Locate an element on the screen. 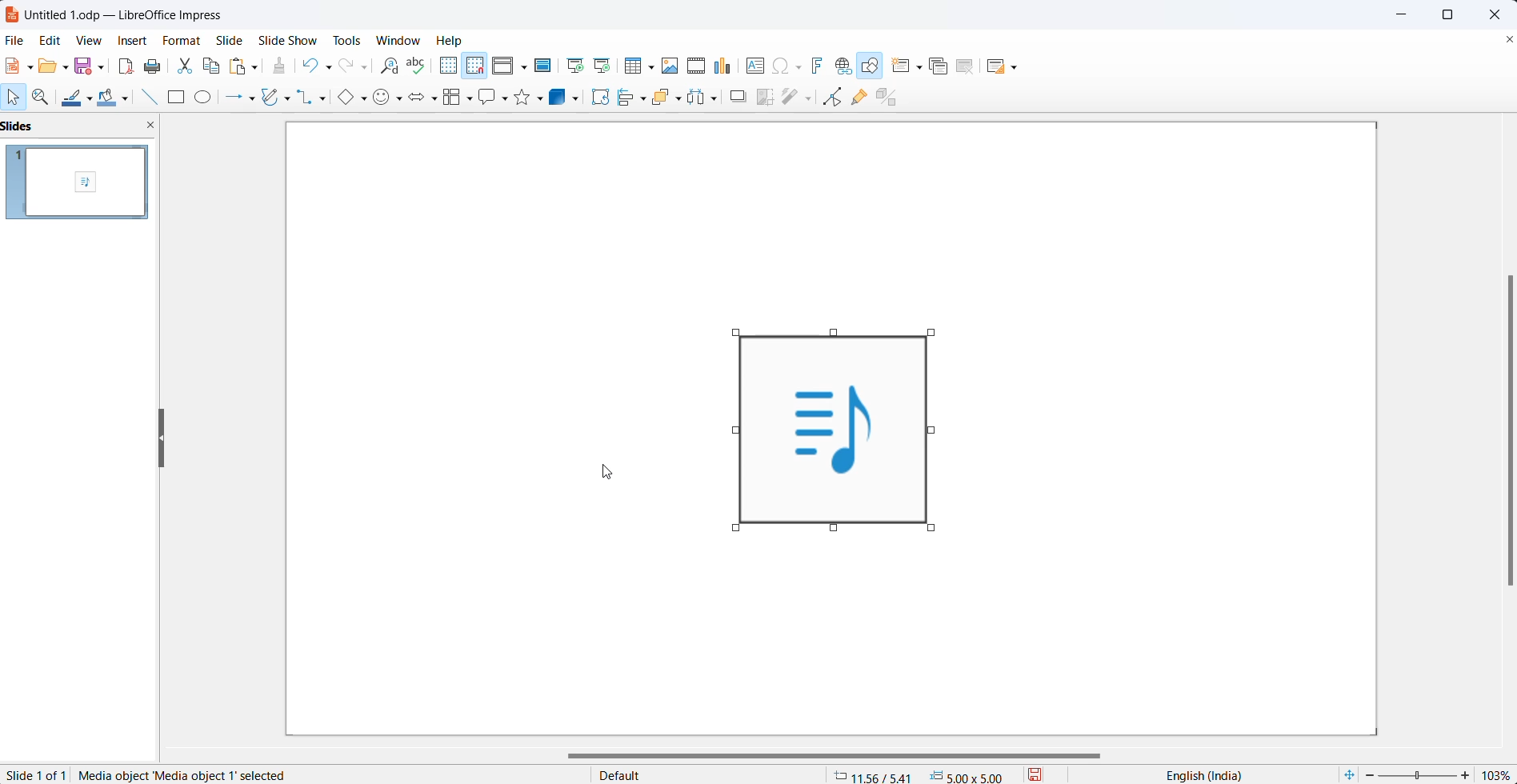 The height and width of the screenshot is (784, 1517). export as pdf is located at coordinates (126, 66).